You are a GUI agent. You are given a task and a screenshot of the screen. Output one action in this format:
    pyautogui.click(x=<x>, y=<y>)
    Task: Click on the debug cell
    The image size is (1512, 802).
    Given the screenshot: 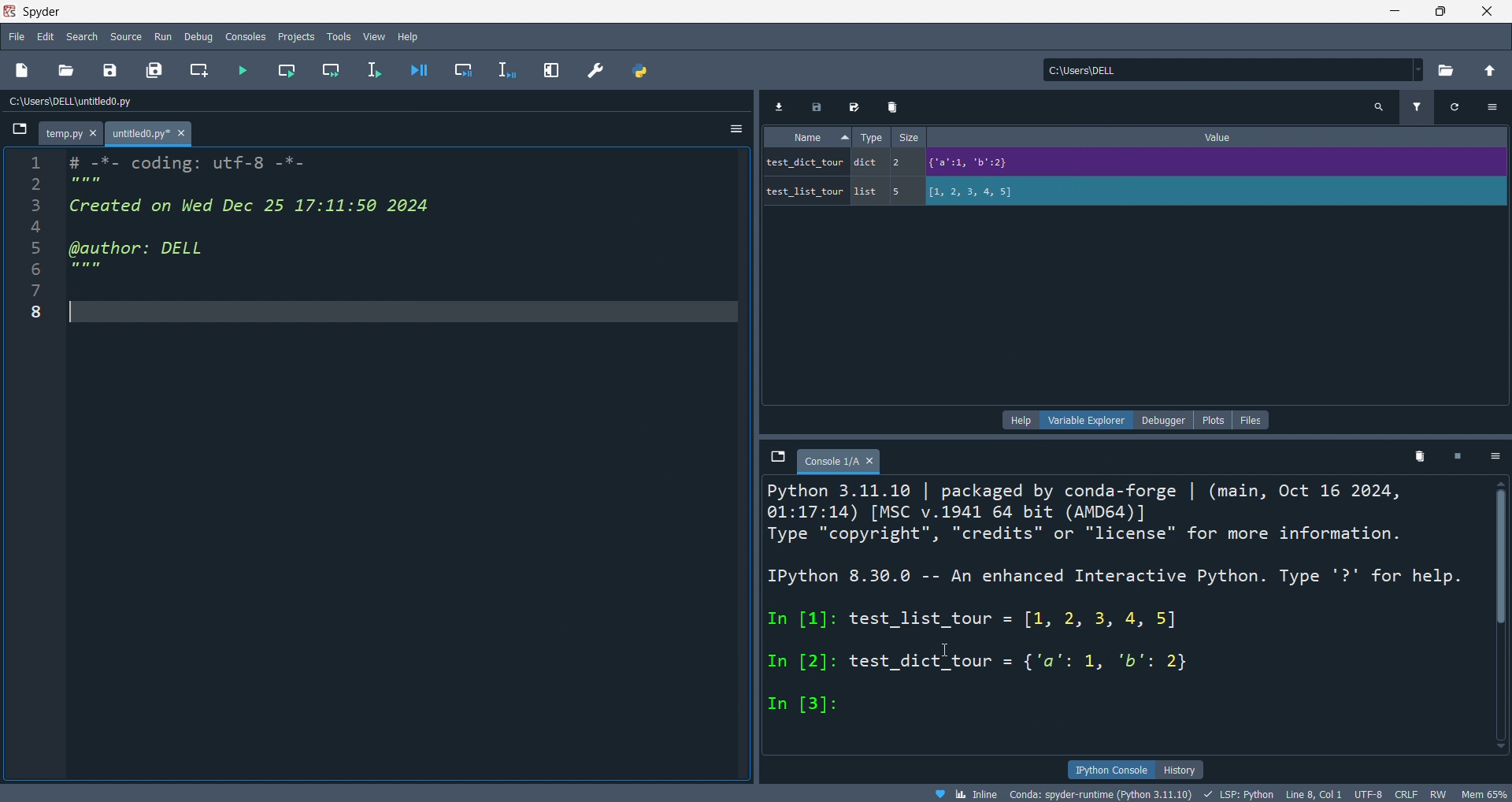 What is the action you would take?
    pyautogui.click(x=465, y=63)
    